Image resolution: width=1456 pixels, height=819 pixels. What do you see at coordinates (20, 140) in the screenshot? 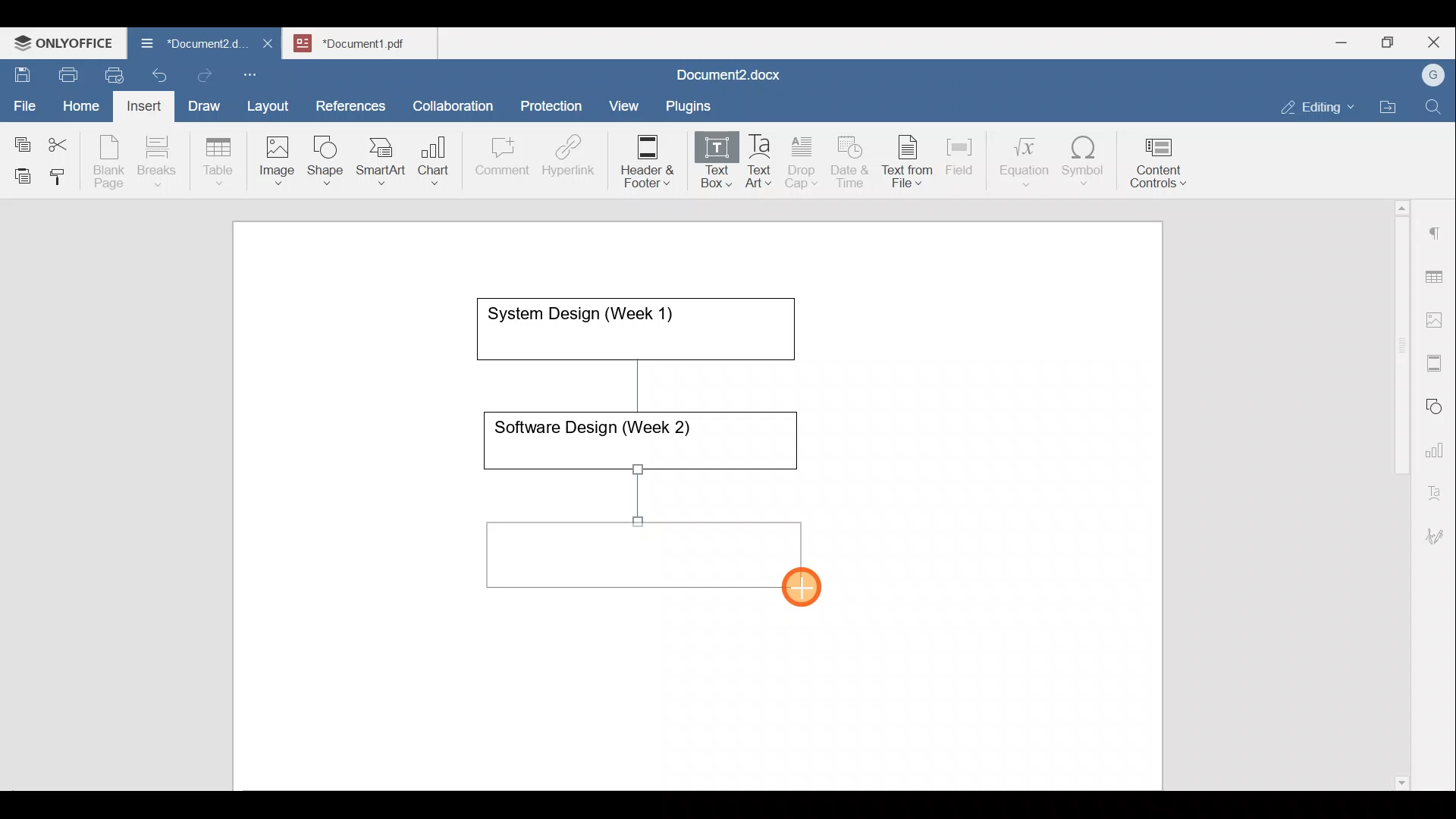
I see `Copy` at bounding box center [20, 140].